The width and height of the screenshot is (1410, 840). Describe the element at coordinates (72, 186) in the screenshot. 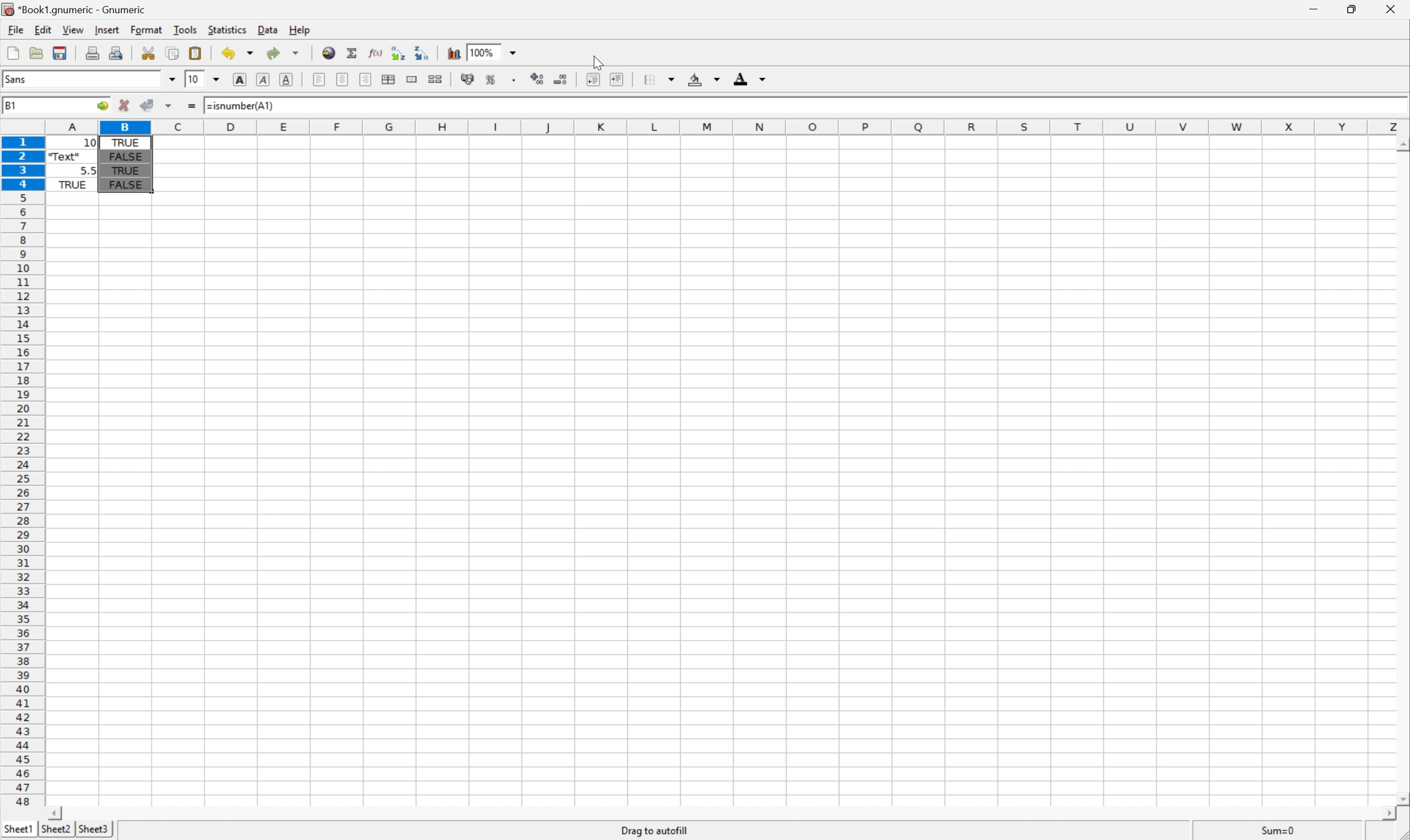

I see `TRUE` at that location.